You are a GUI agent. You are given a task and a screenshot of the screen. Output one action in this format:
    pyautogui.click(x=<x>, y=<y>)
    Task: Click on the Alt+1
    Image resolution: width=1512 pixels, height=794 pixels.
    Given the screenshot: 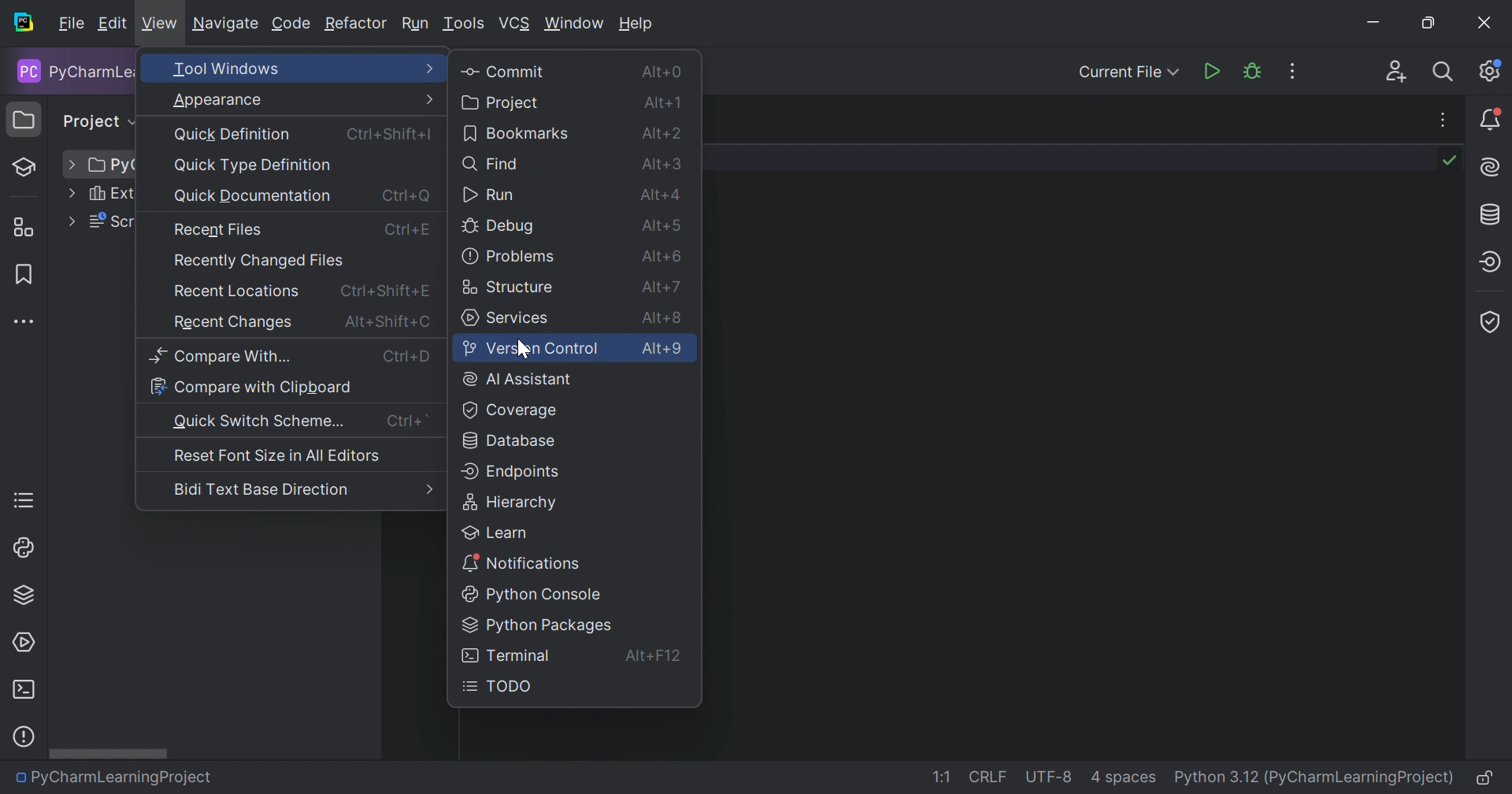 What is the action you would take?
    pyautogui.click(x=661, y=103)
    